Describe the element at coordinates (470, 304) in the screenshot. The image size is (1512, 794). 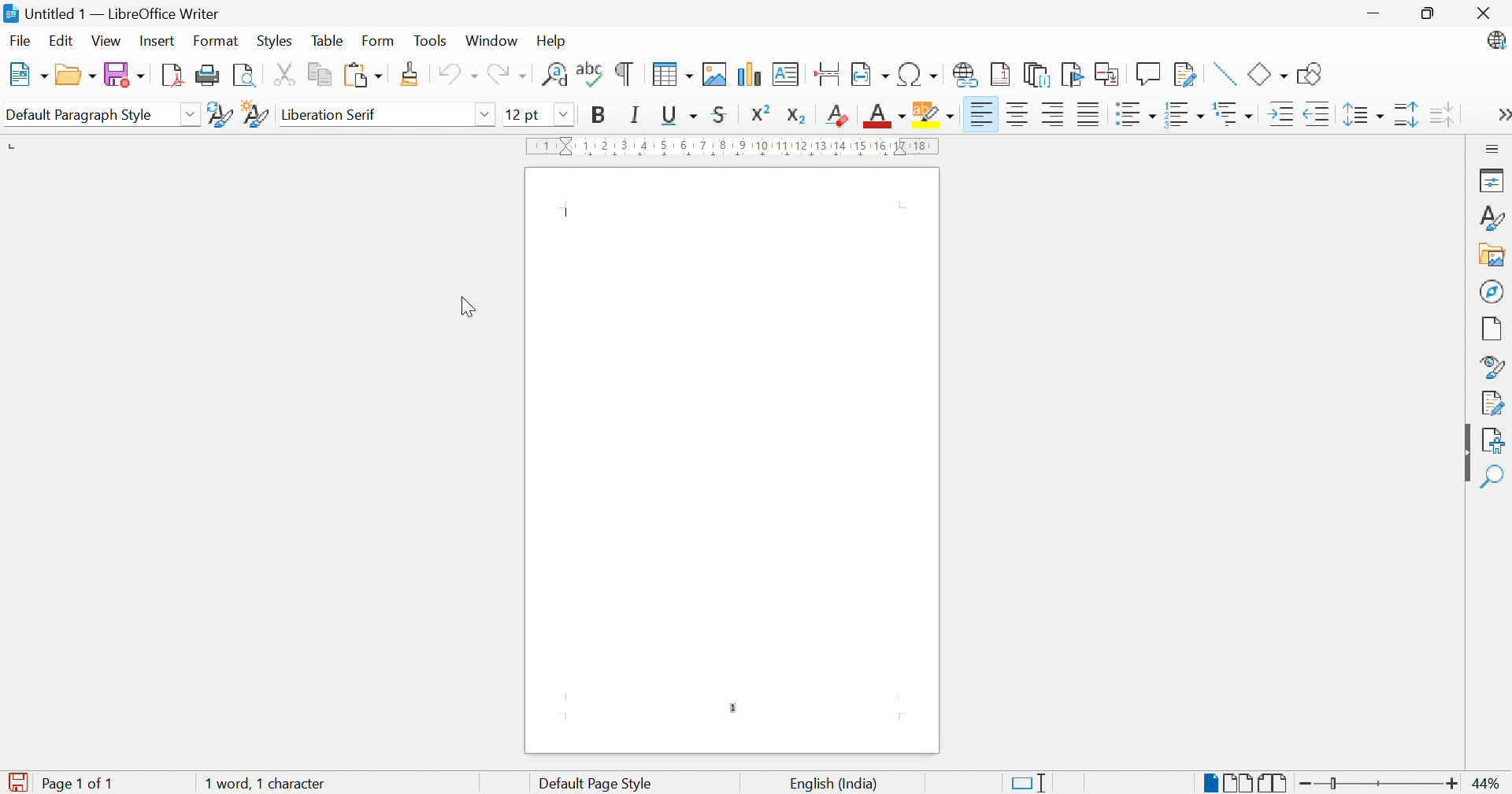
I see `Cursor` at that location.